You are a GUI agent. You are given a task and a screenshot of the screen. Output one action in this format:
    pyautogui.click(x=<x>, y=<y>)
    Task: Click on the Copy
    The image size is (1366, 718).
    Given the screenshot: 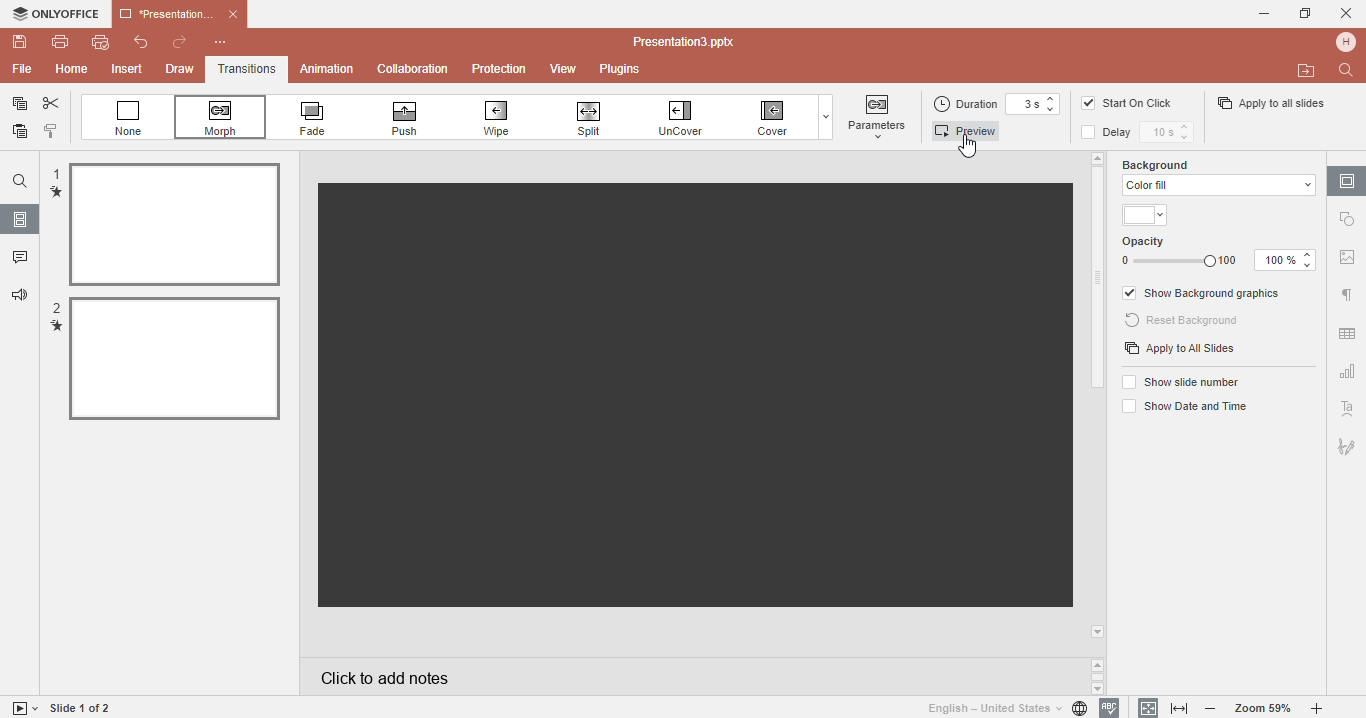 What is the action you would take?
    pyautogui.click(x=16, y=104)
    